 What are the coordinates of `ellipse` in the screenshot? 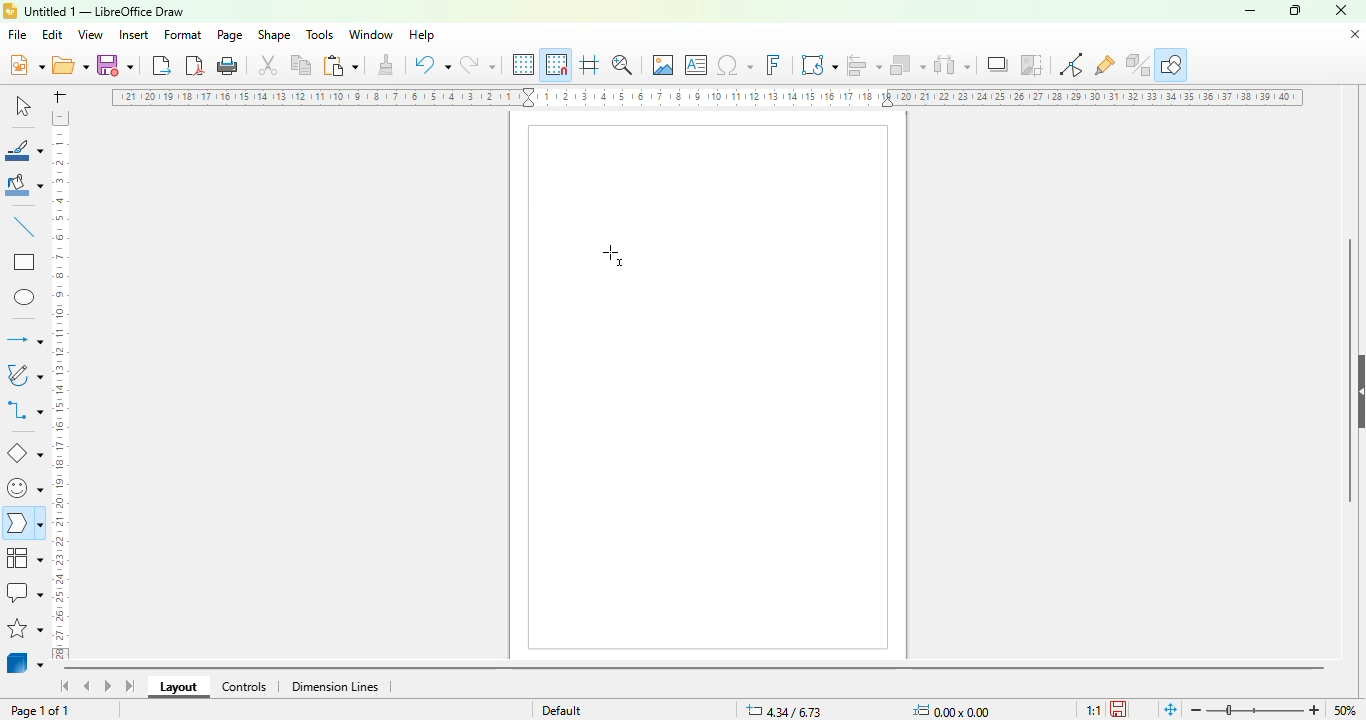 It's located at (26, 298).